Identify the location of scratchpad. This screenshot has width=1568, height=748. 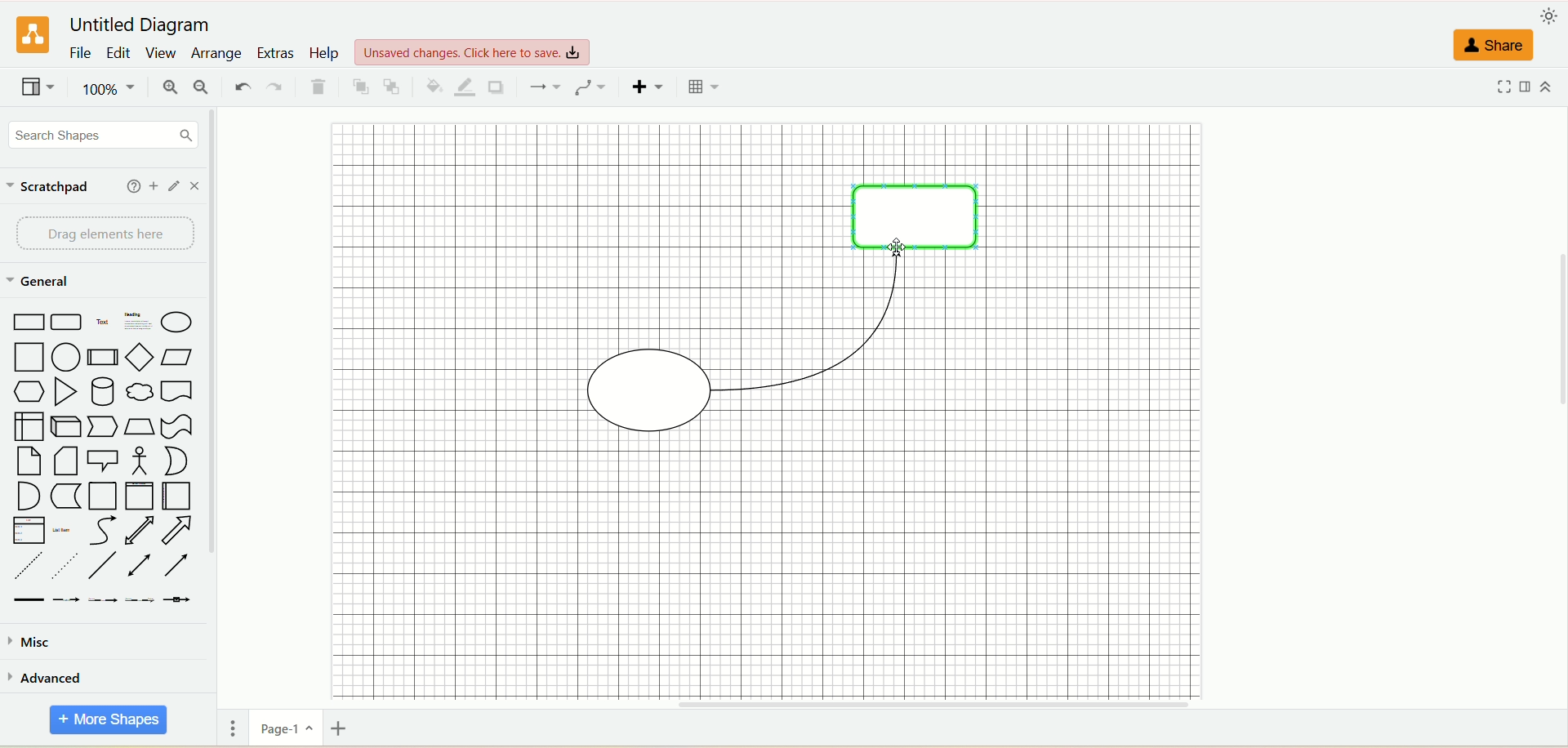
(52, 188).